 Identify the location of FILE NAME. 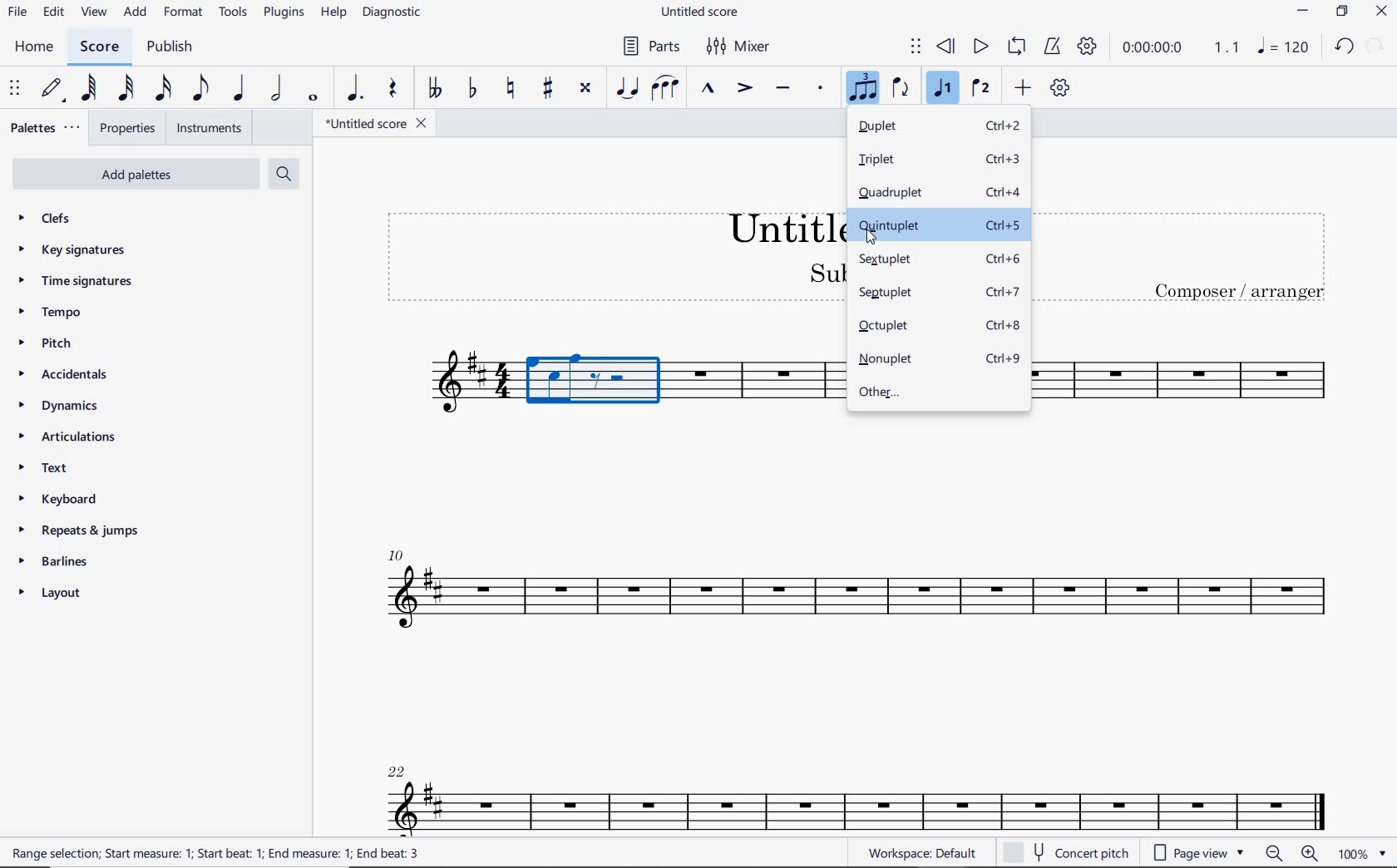
(703, 12).